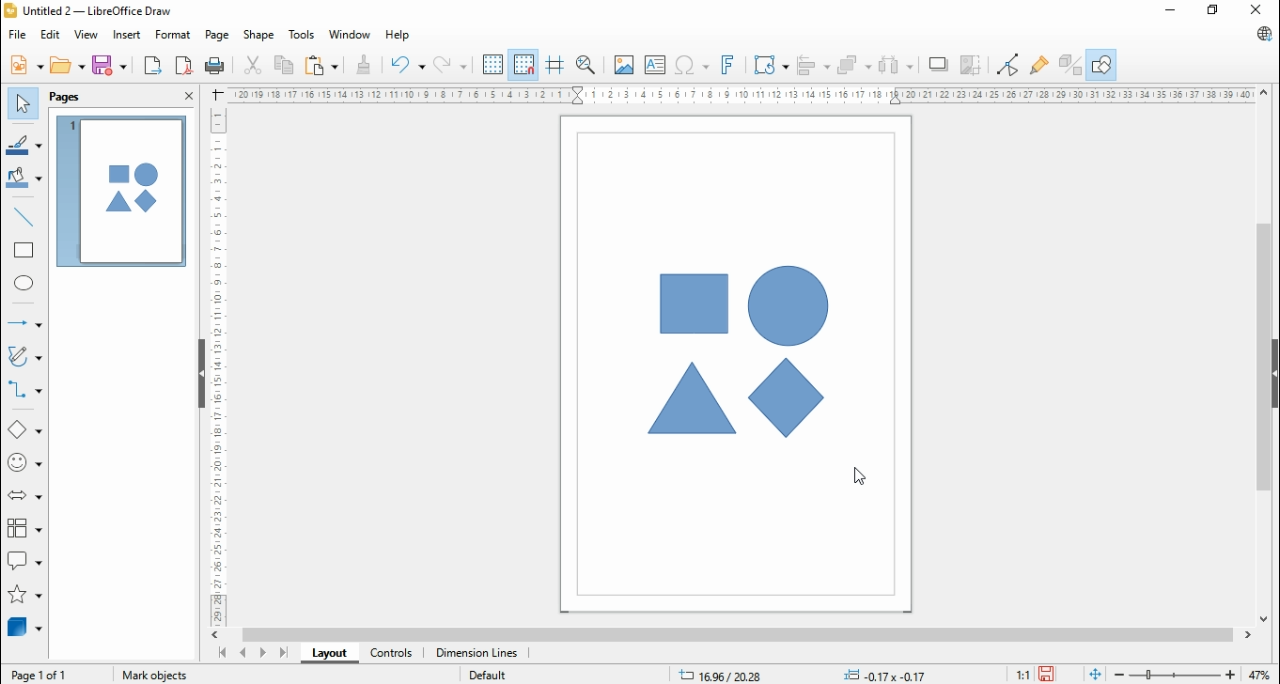  What do you see at coordinates (26, 594) in the screenshot?
I see `stars and banners` at bounding box center [26, 594].